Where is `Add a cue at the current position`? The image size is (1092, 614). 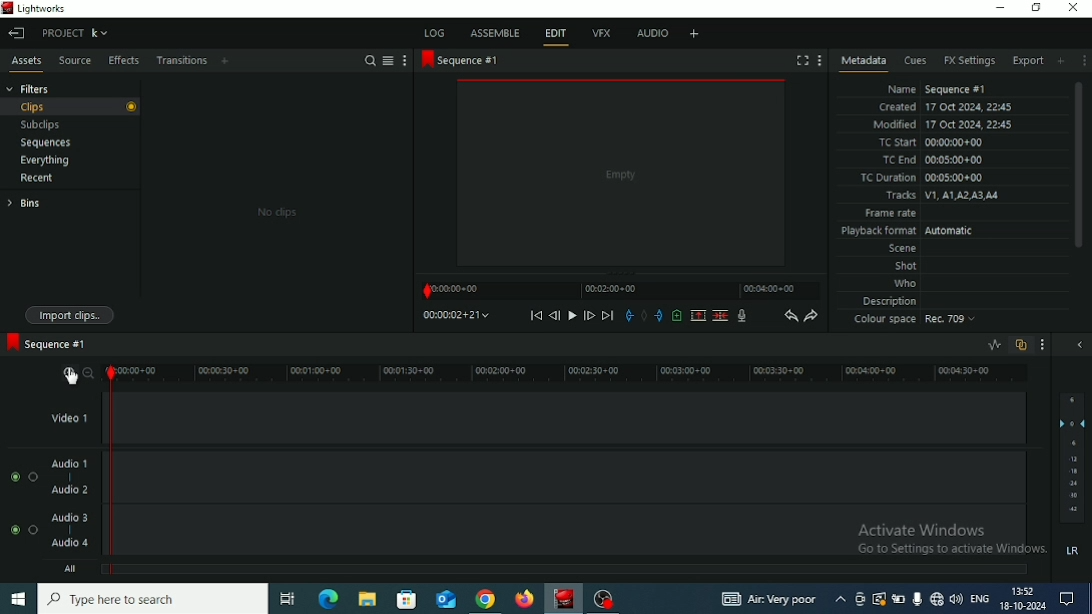 Add a cue at the current position is located at coordinates (676, 315).